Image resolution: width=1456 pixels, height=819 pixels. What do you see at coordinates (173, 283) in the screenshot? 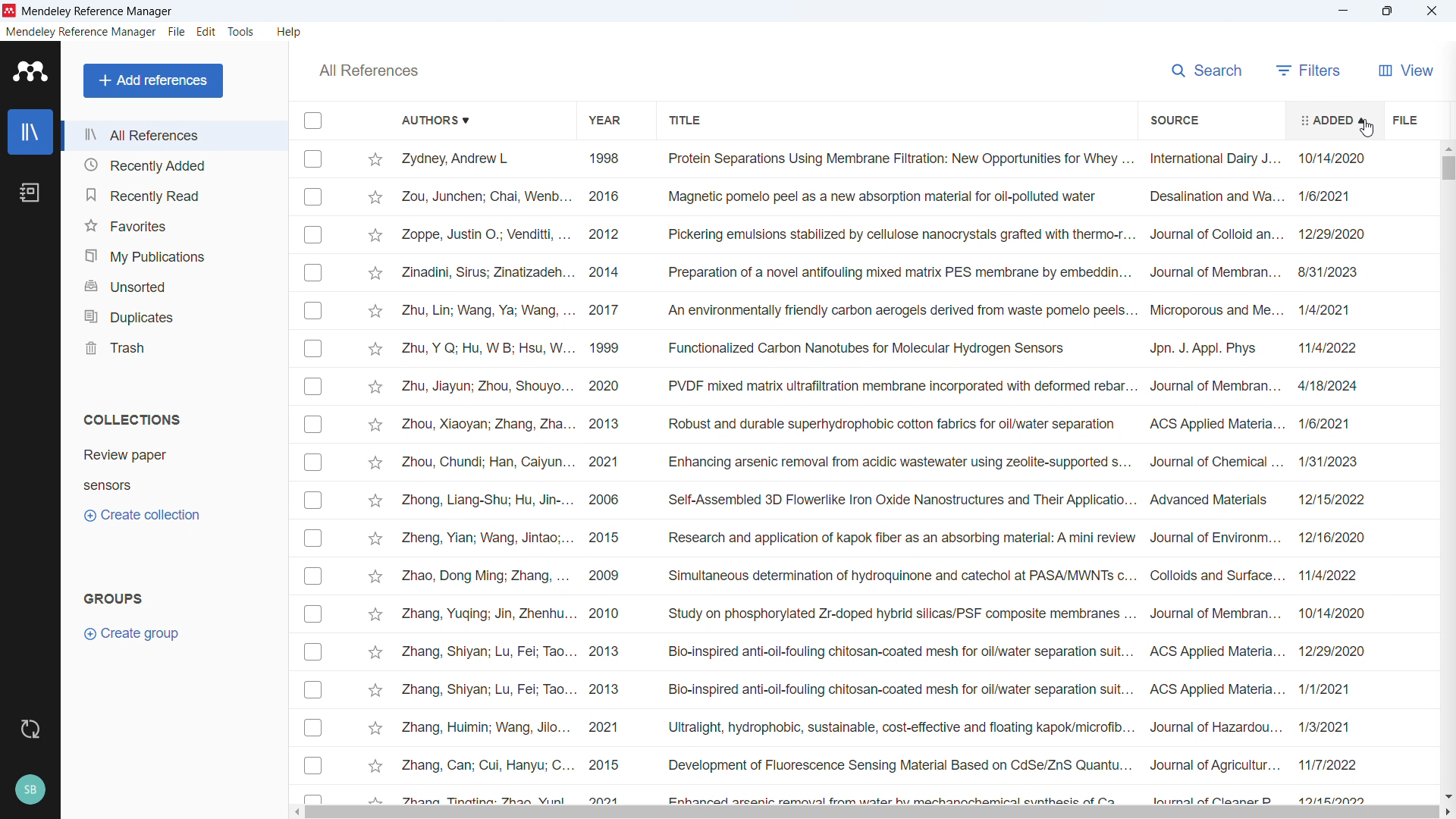
I see `Unsorted ` at bounding box center [173, 283].